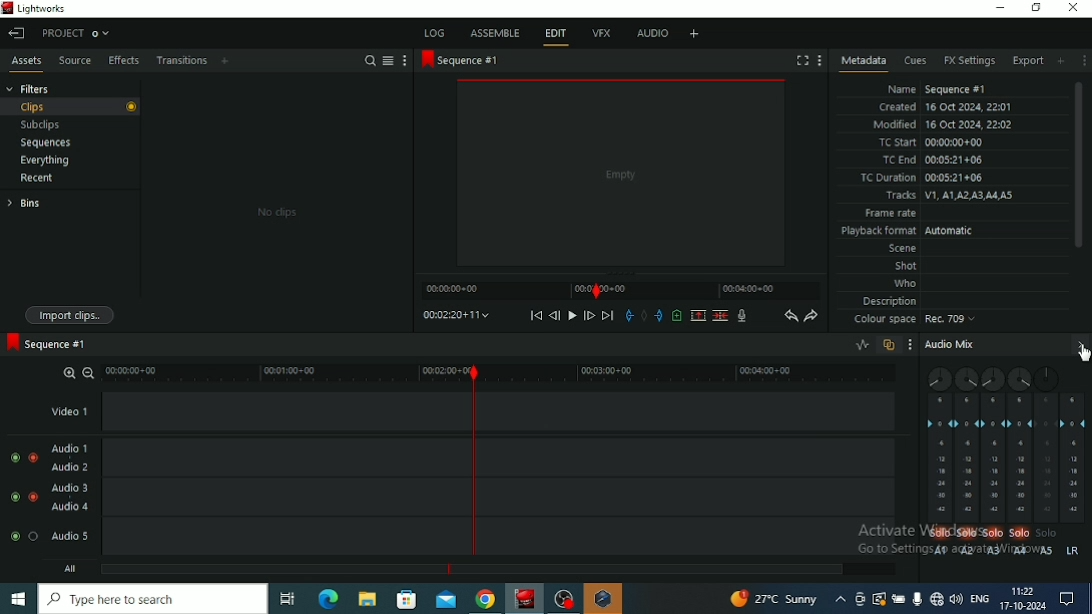  I want to click on Created, so click(945, 106).